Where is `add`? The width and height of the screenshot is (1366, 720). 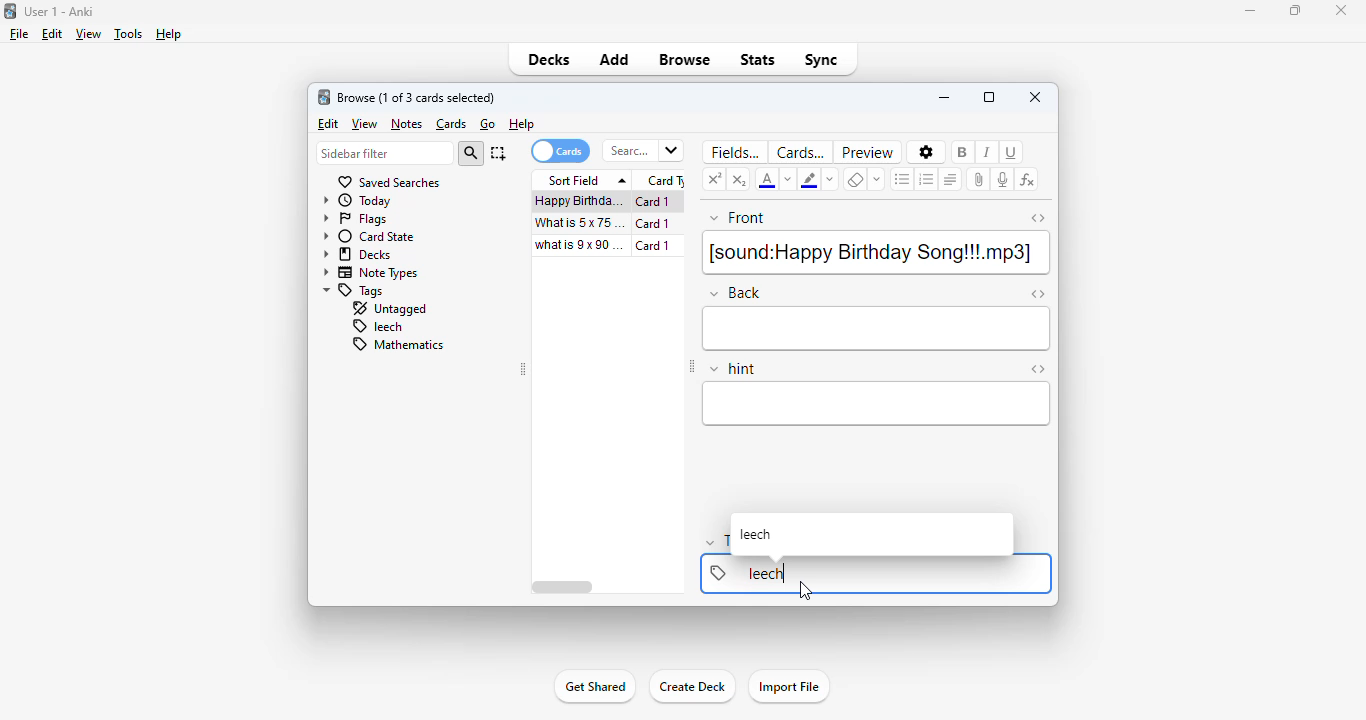
add is located at coordinates (616, 60).